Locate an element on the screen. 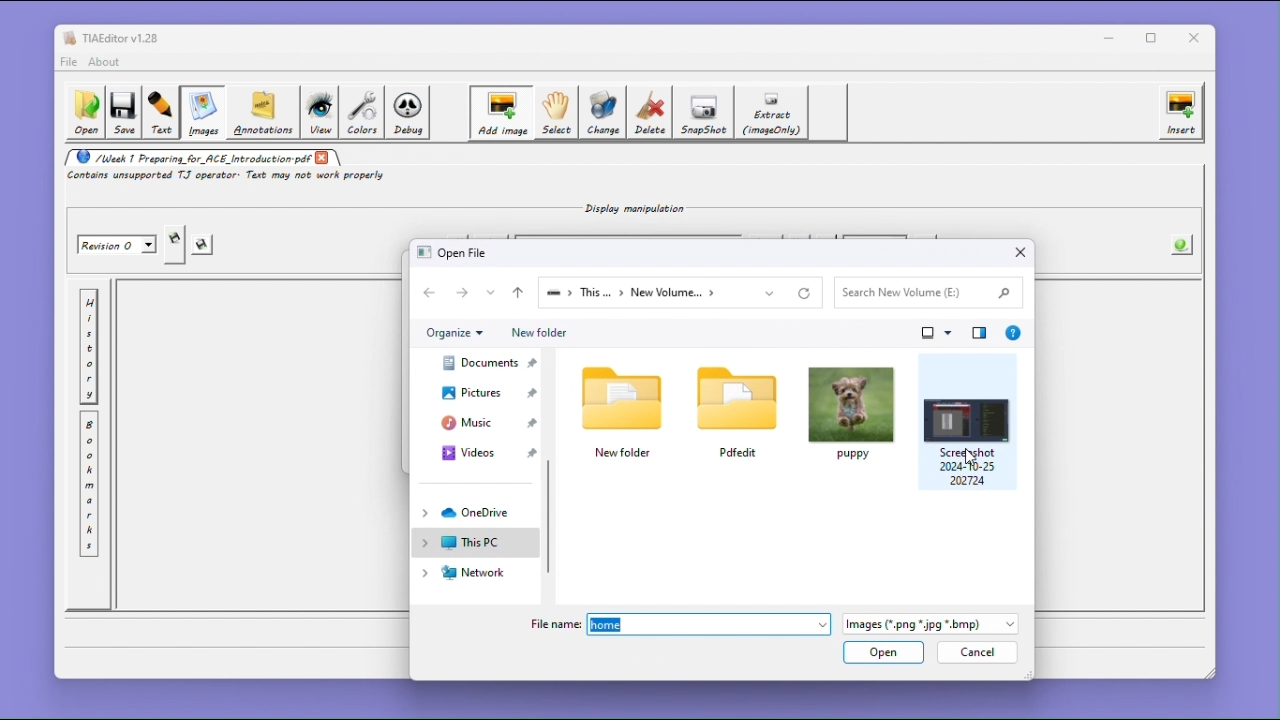 The height and width of the screenshot is (720, 1280). Annotations  is located at coordinates (261, 112).